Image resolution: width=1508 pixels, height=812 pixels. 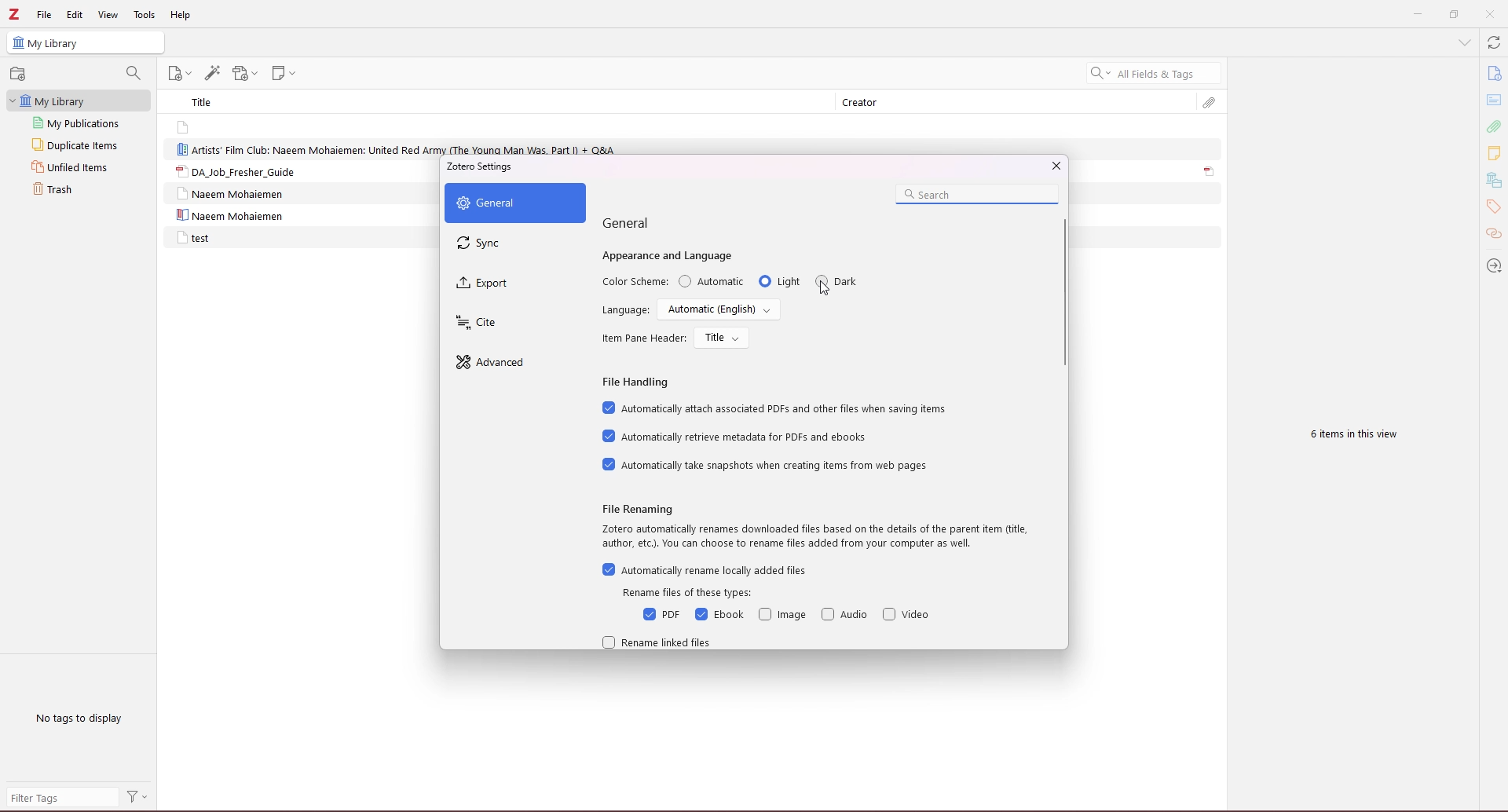 What do you see at coordinates (1490, 14) in the screenshot?
I see `close` at bounding box center [1490, 14].